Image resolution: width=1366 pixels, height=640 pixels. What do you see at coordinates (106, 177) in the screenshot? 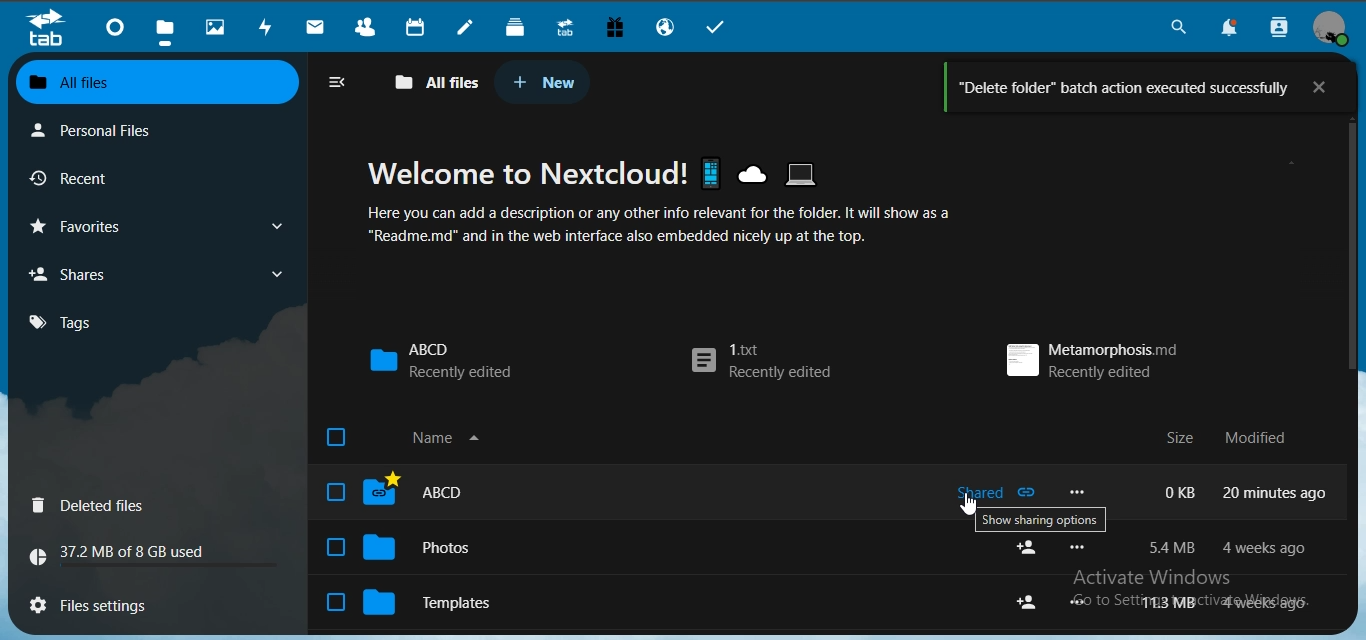
I see `recent` at bounding box center [106, 177].